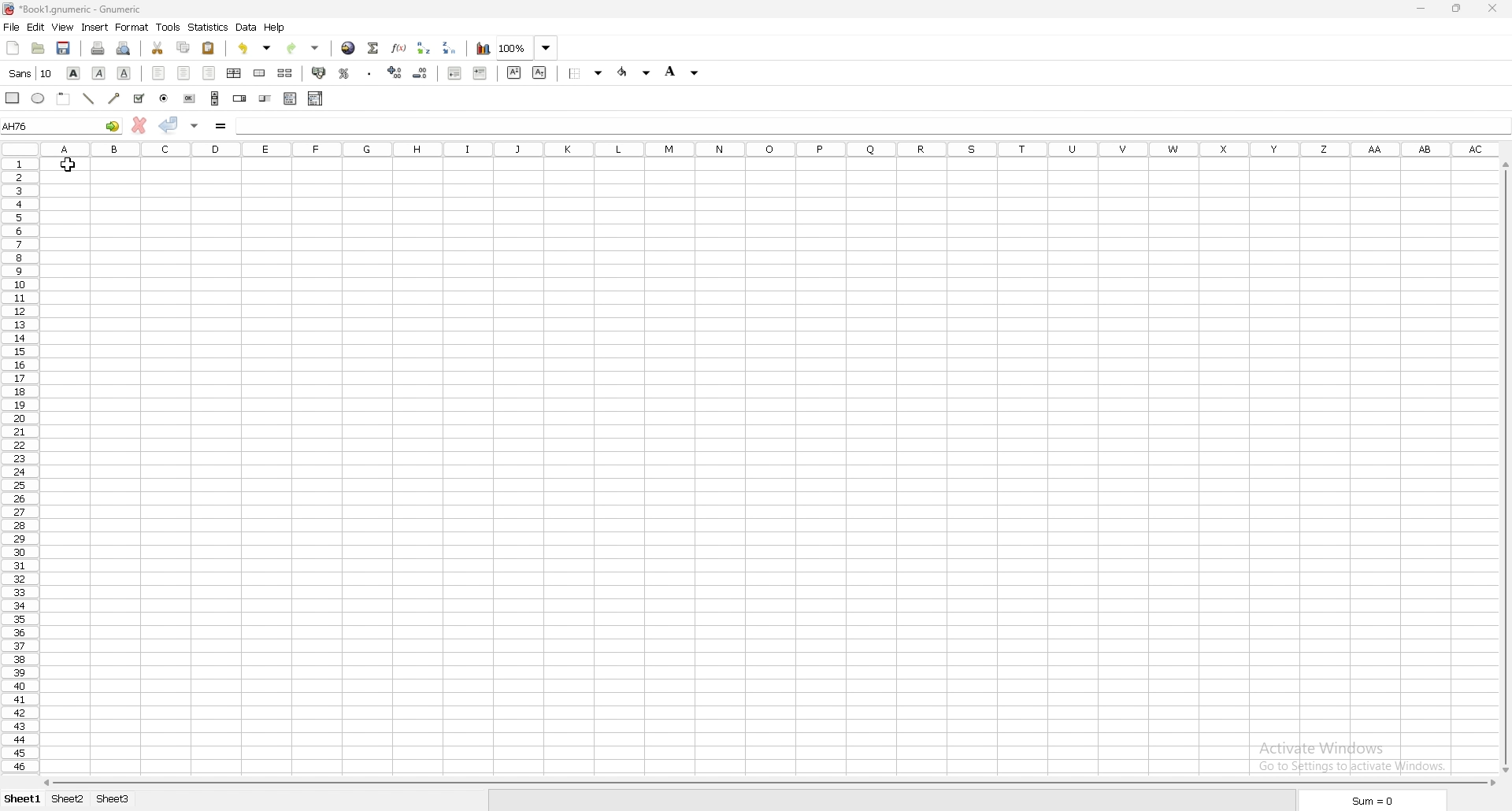 This screenshot has width=1512, height=811. What do you see at coordinates (12, 27) in the screenshot?
I see `file` at bounding box center [12, 27].